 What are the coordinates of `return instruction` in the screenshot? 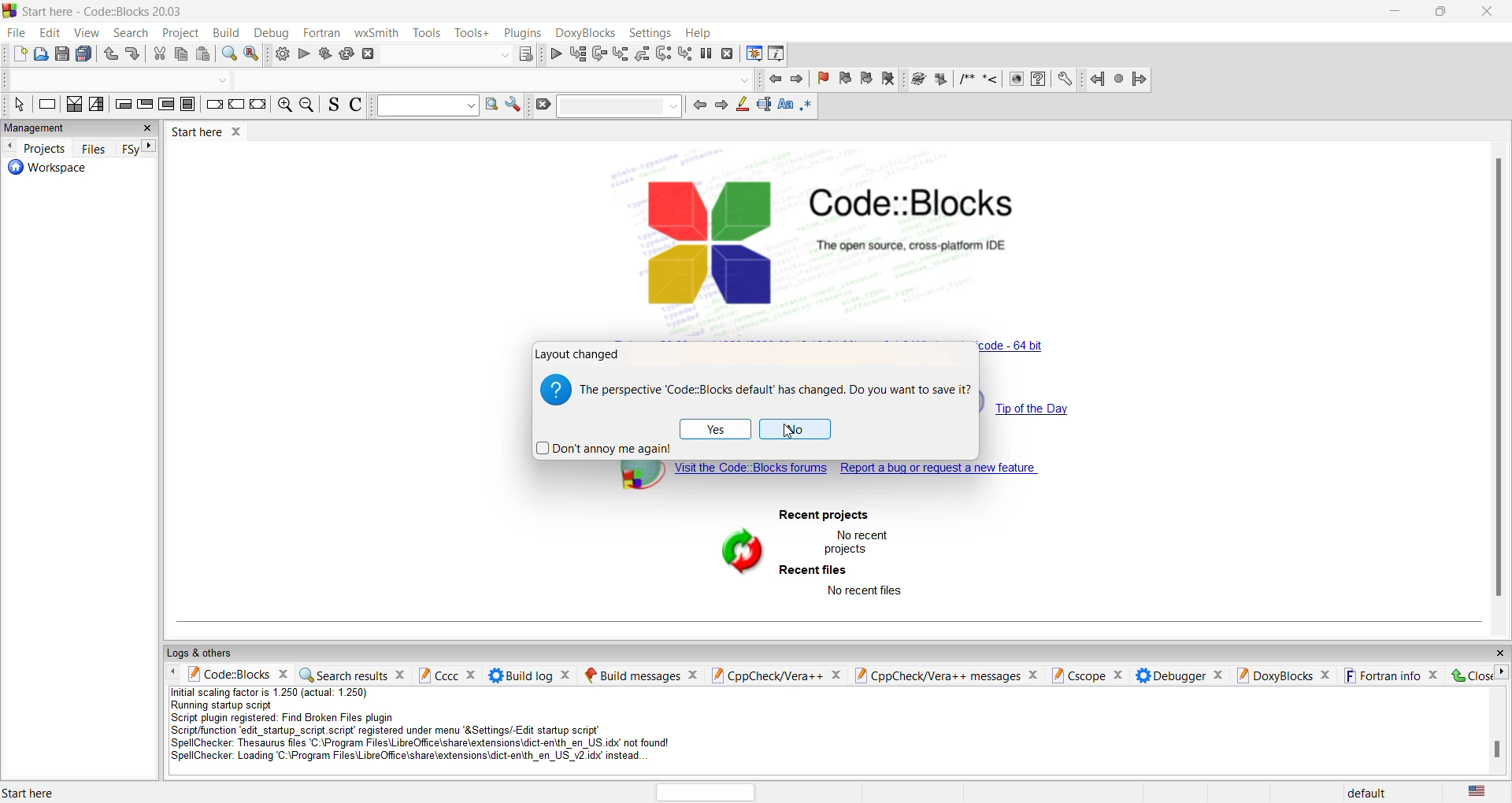 It's located at (261, 105).